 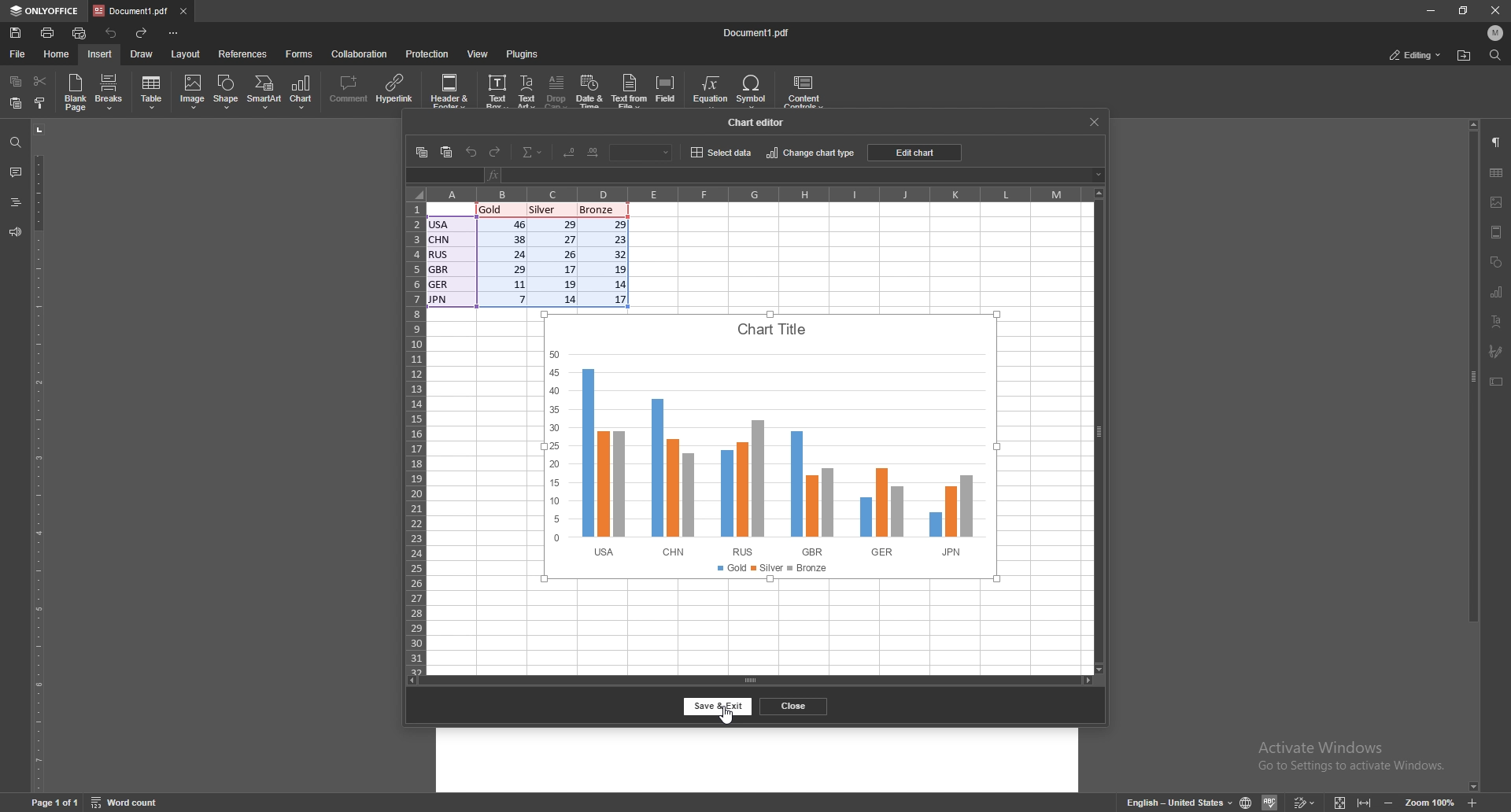 I want to click on scroll bar, so click(x=748, y=681).